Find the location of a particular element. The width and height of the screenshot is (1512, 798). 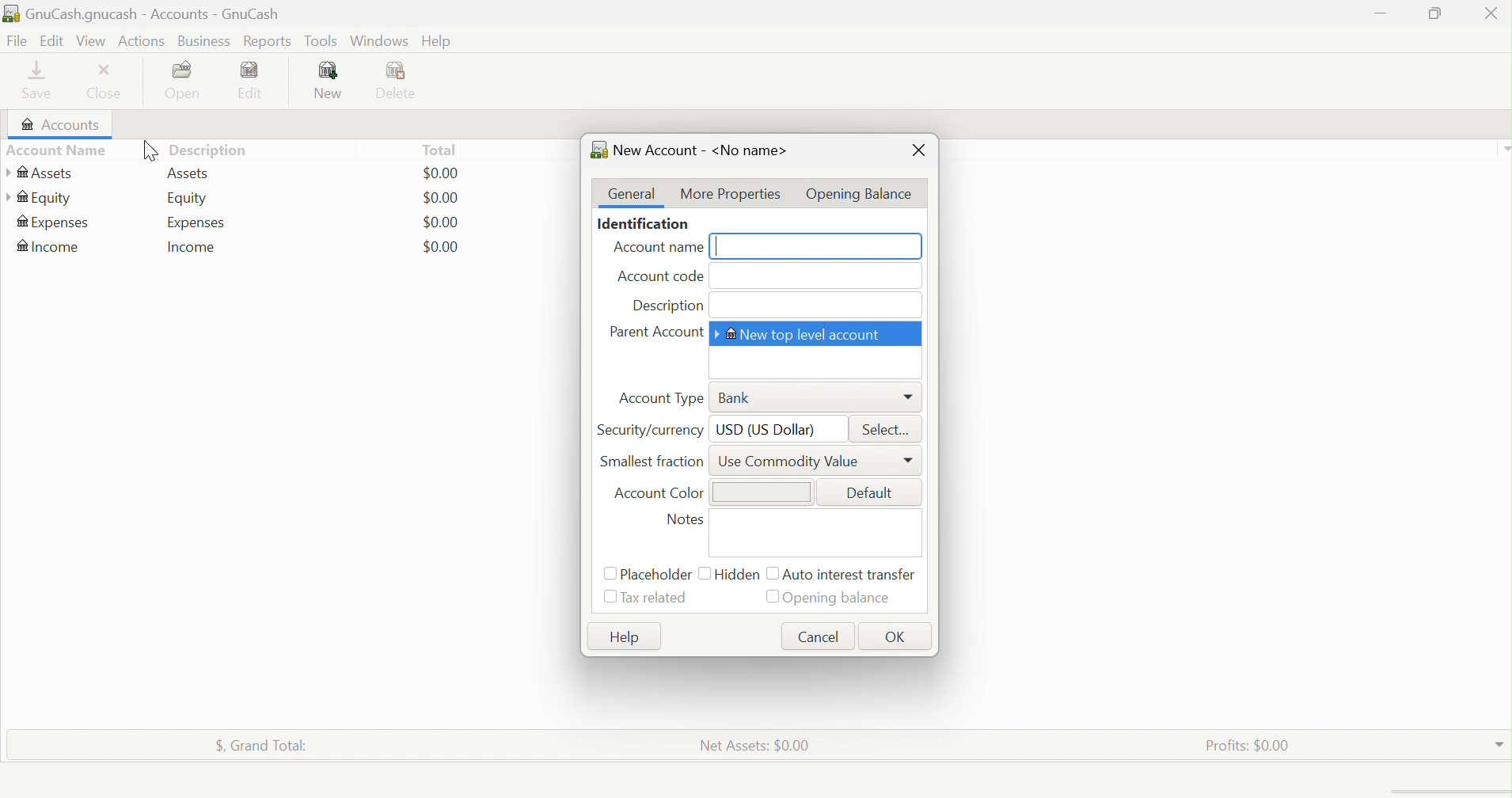

View is located at coordinates (91, 41).